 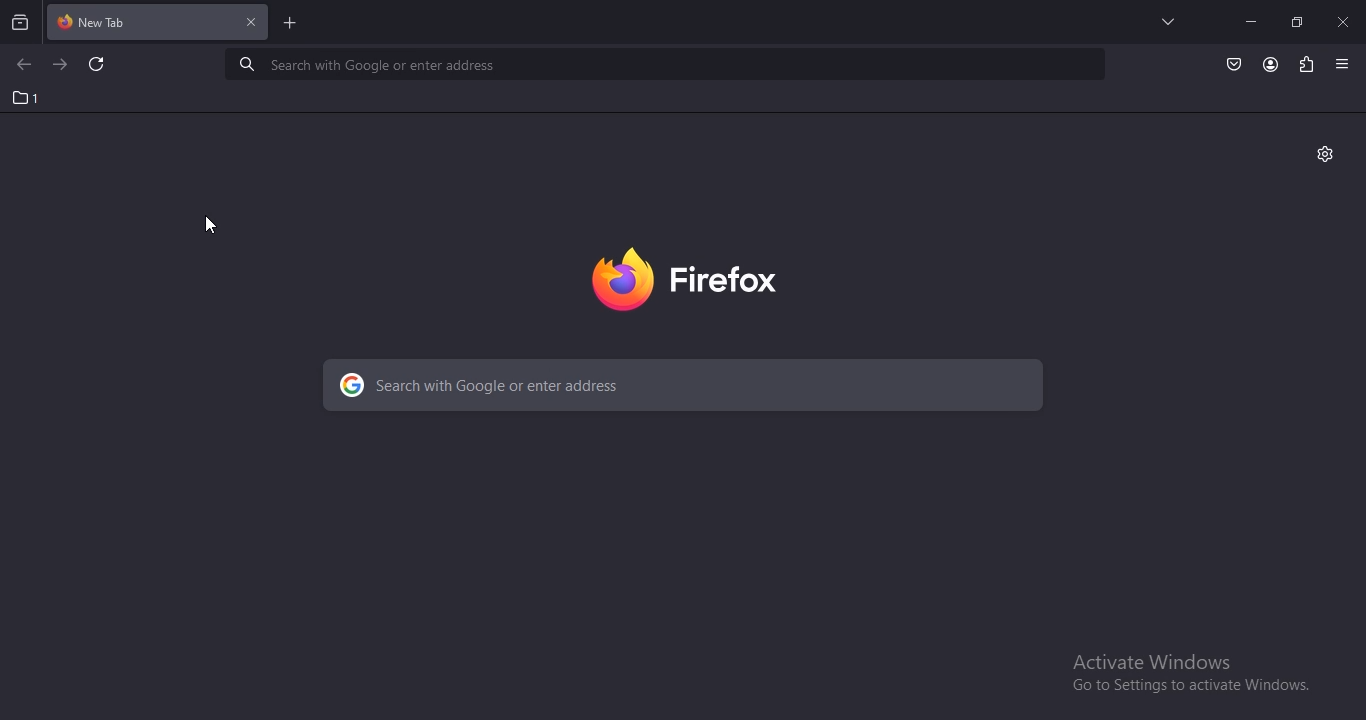 I want to click on personalise new tab, so click(x=1326, y=155).